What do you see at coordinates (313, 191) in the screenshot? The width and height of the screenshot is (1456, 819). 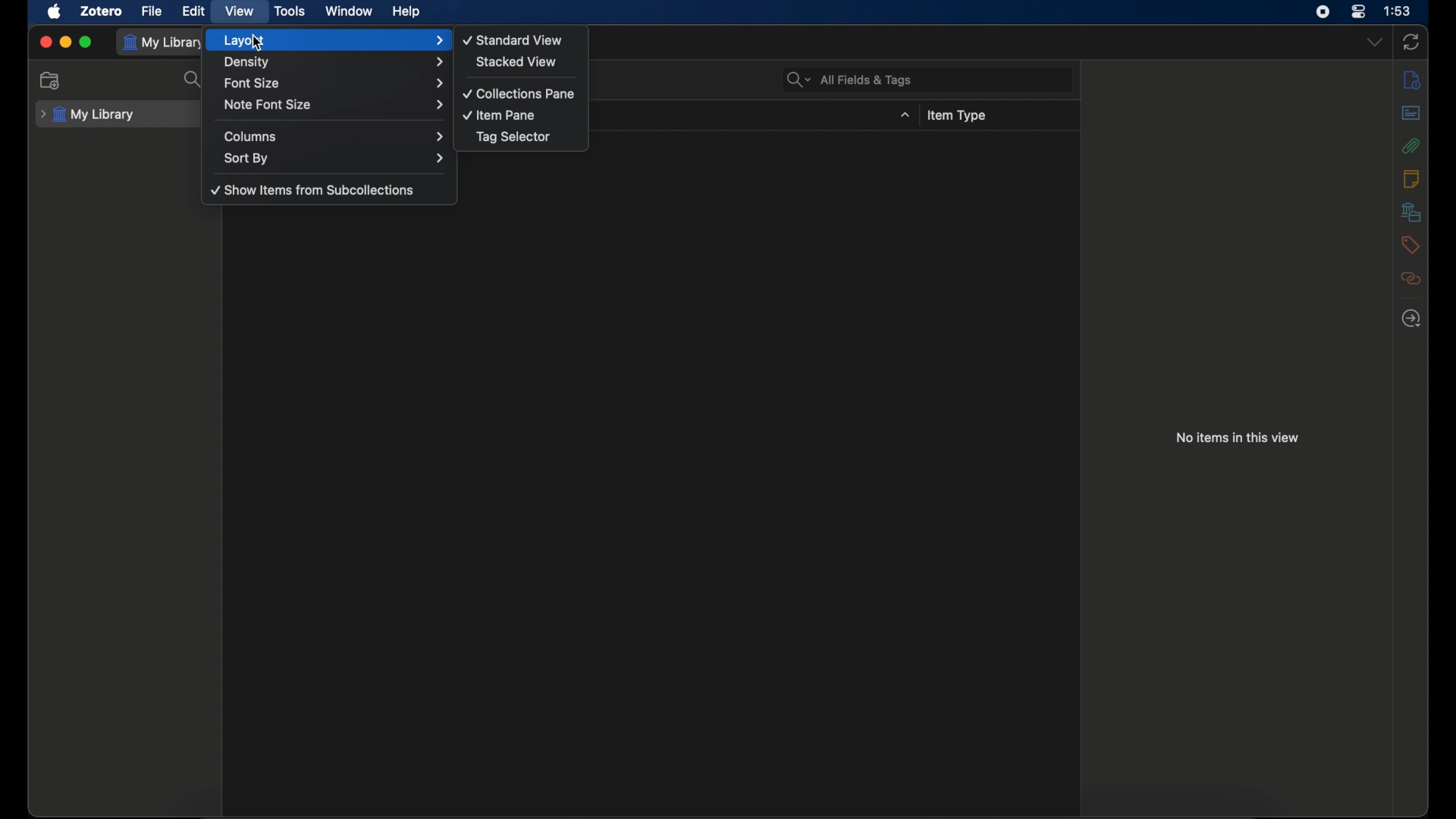 I see `show items from sub collections` at bounding box center [313, 191].